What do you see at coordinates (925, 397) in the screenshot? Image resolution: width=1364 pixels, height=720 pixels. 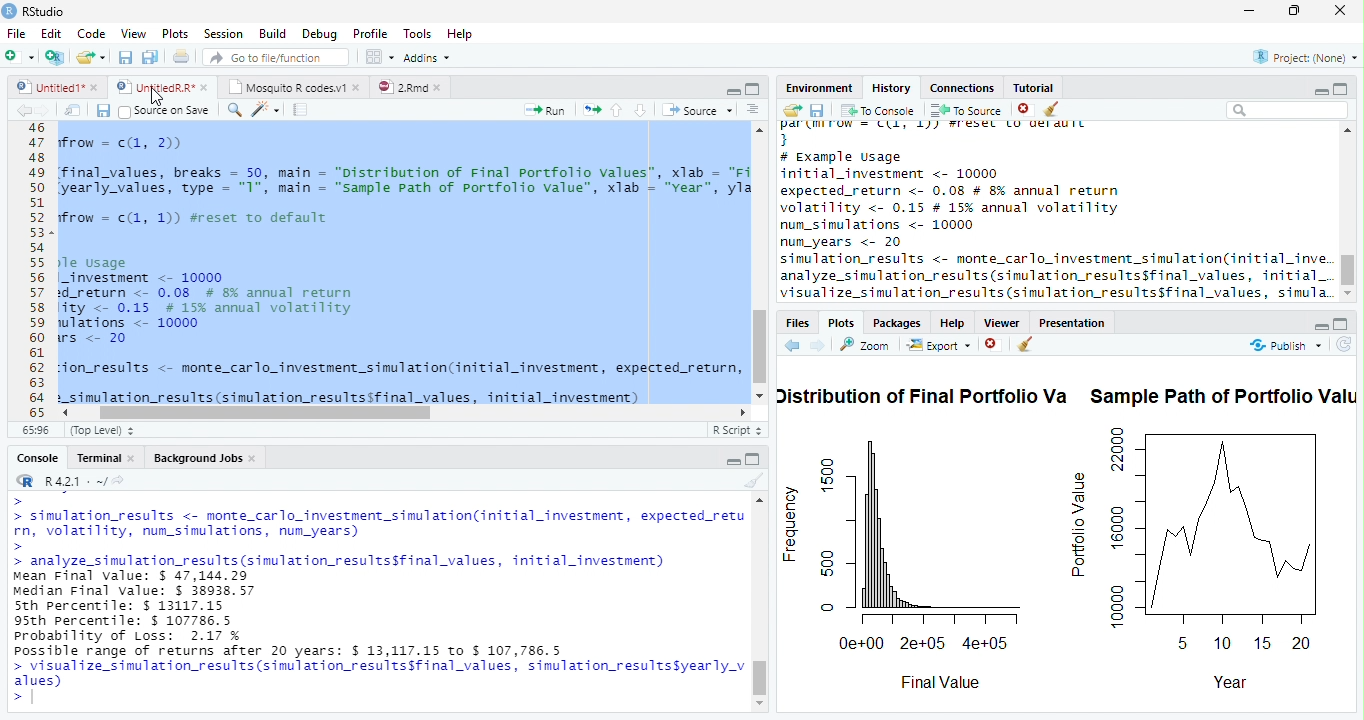 I see `Distribution of Final Portfolio Va` at bounding box center [925, 397].